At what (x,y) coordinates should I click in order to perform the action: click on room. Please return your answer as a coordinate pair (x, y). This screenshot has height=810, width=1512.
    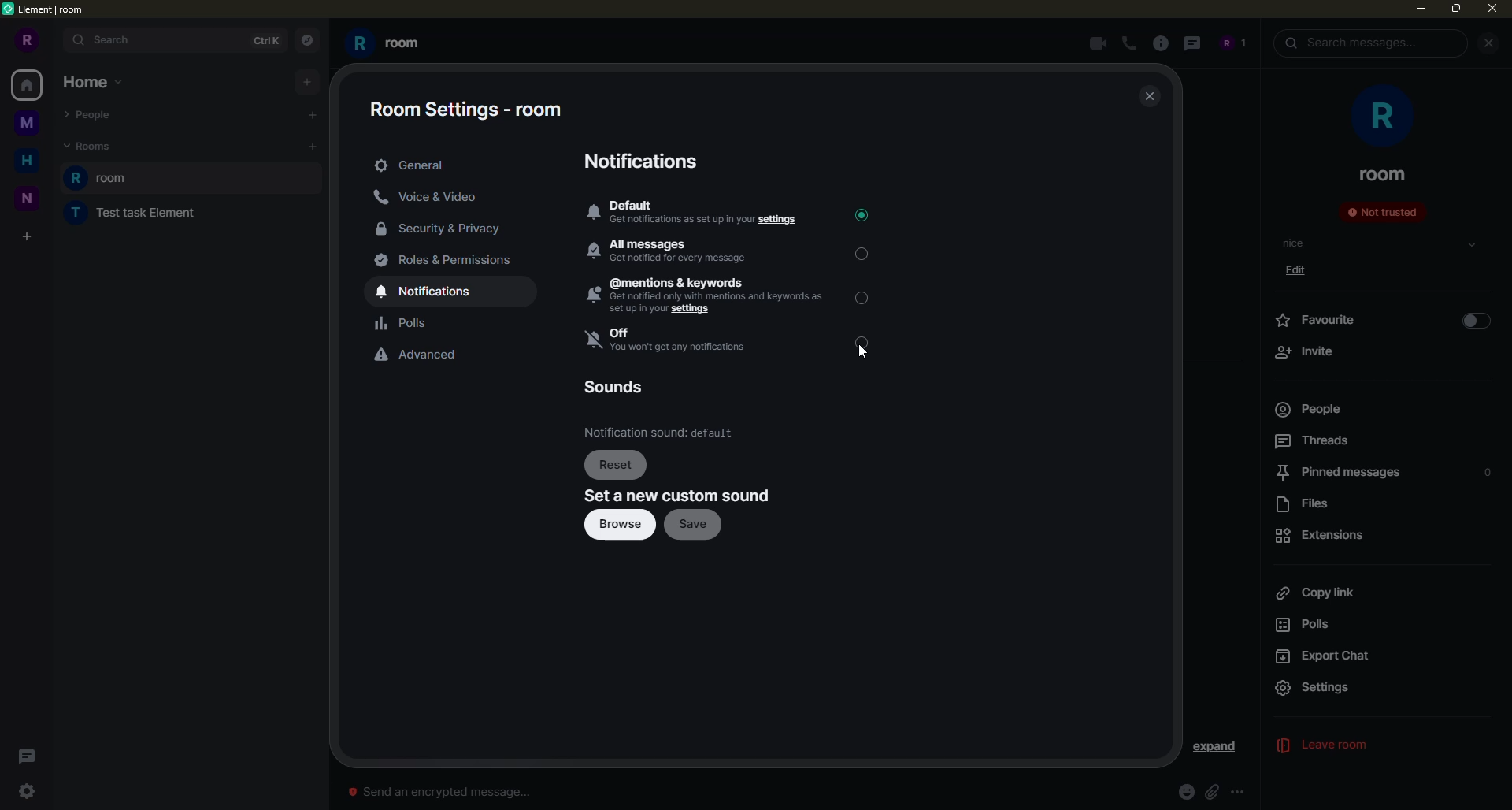
    Looking at the image, I should click on (1383, 174).